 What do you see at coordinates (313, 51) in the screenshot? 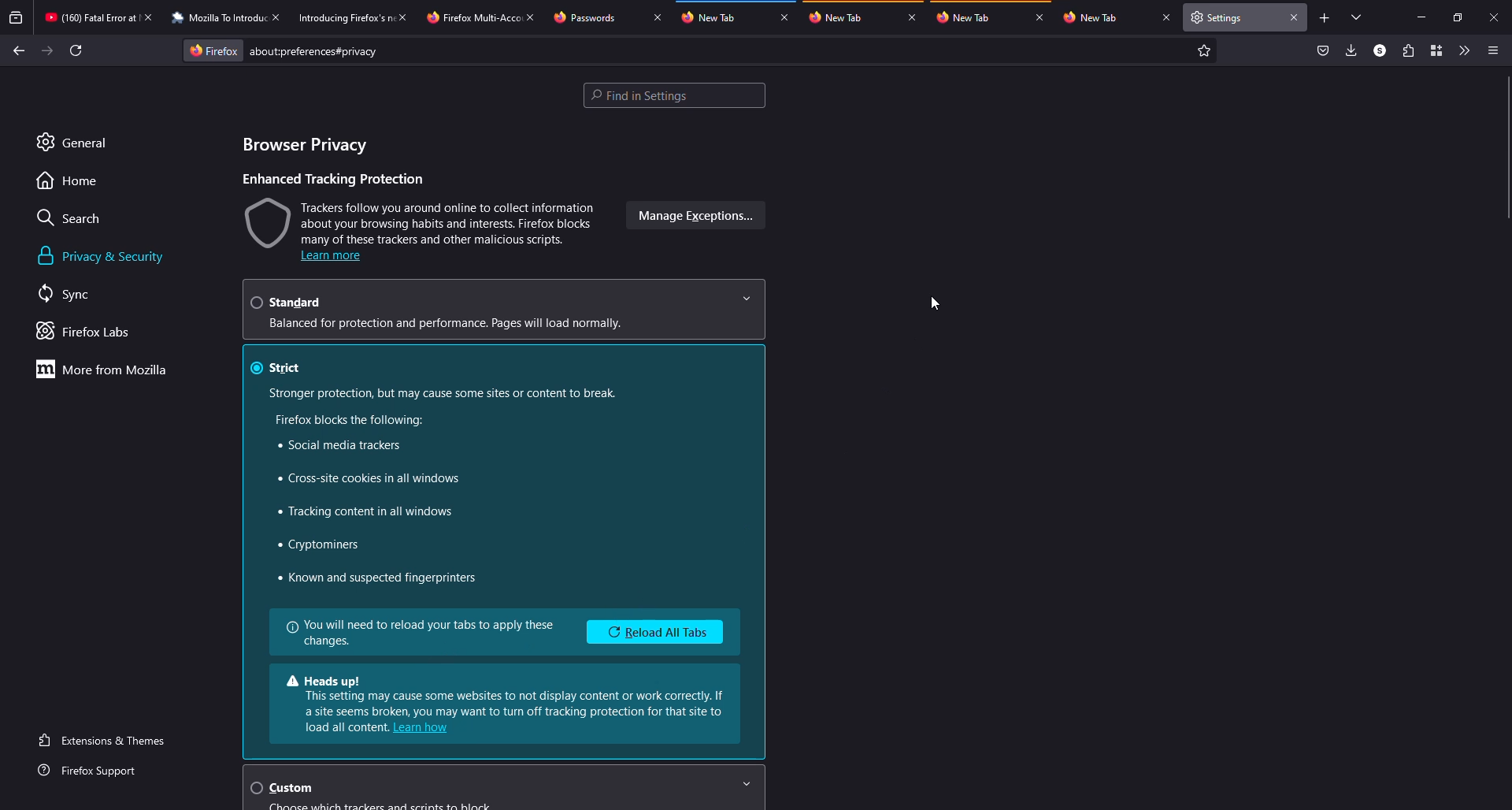
I see `preferences#privacy` at bounding box center [313, 51].